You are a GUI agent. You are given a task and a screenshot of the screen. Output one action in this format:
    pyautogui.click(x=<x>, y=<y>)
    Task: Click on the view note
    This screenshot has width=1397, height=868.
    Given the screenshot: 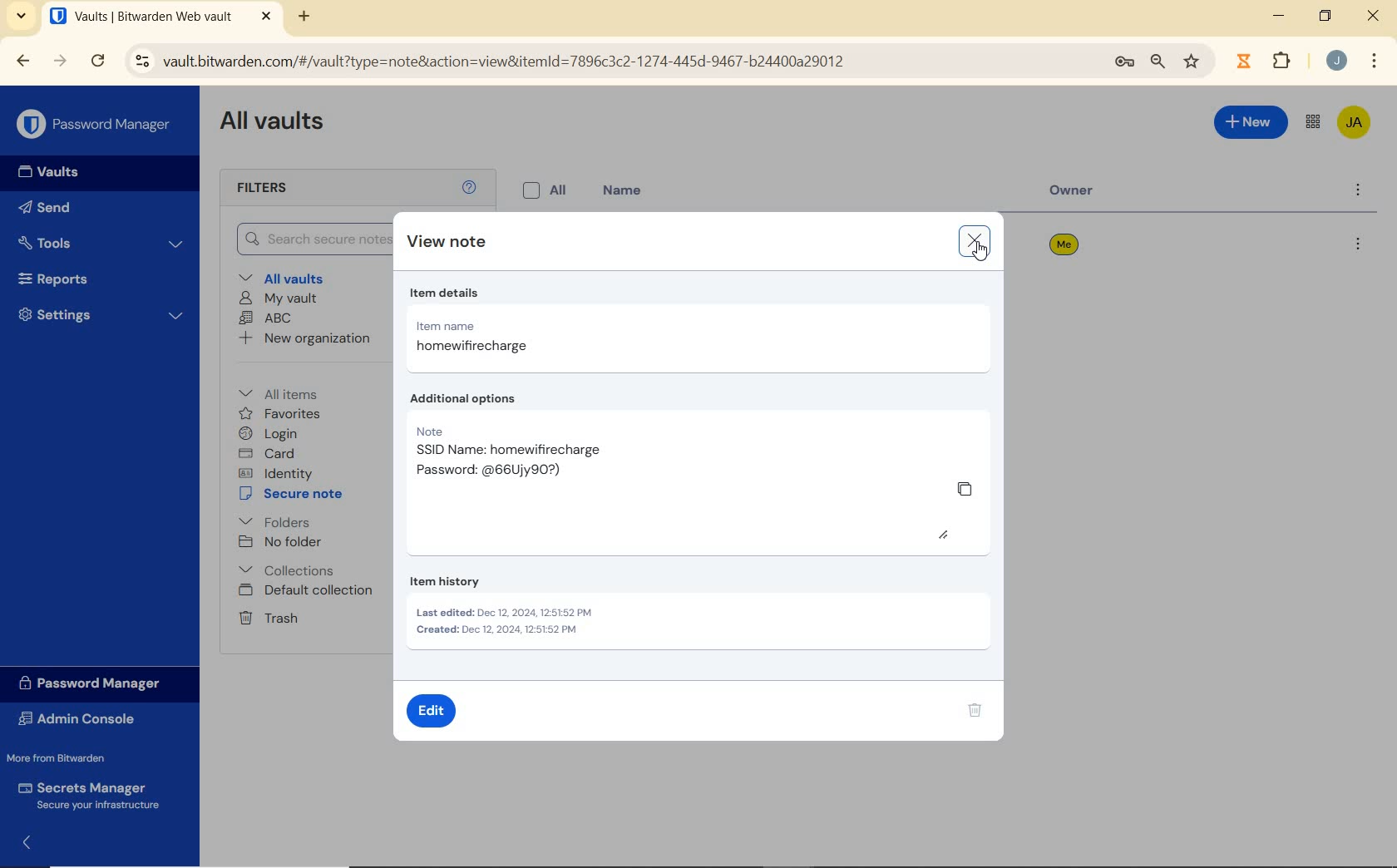 What is the action you would take?
    pyautogui.click(x=451, y=242)
    